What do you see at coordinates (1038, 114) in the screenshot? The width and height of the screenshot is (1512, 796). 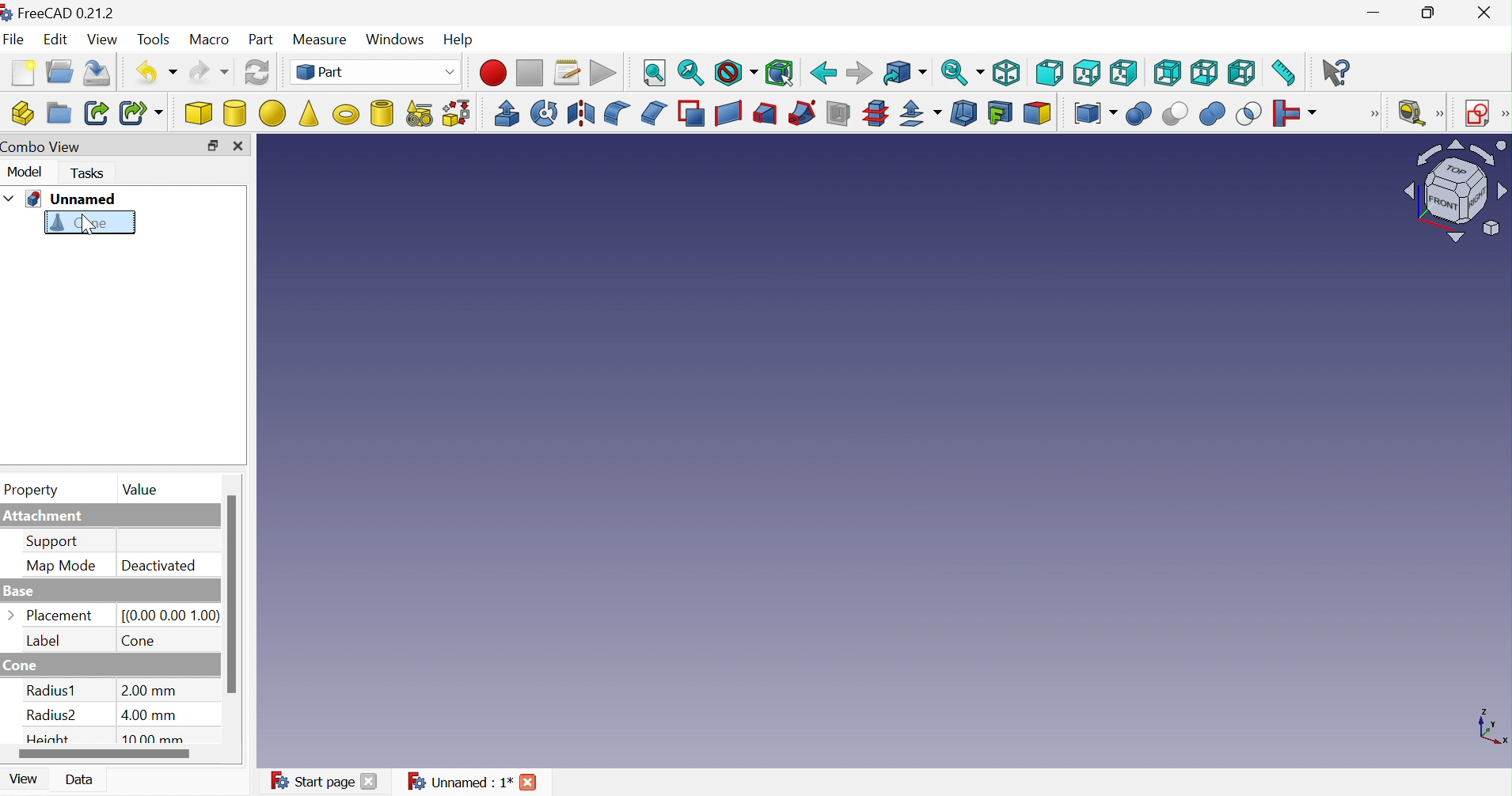 I see `Color per face` at bounding box center [1038, 114].